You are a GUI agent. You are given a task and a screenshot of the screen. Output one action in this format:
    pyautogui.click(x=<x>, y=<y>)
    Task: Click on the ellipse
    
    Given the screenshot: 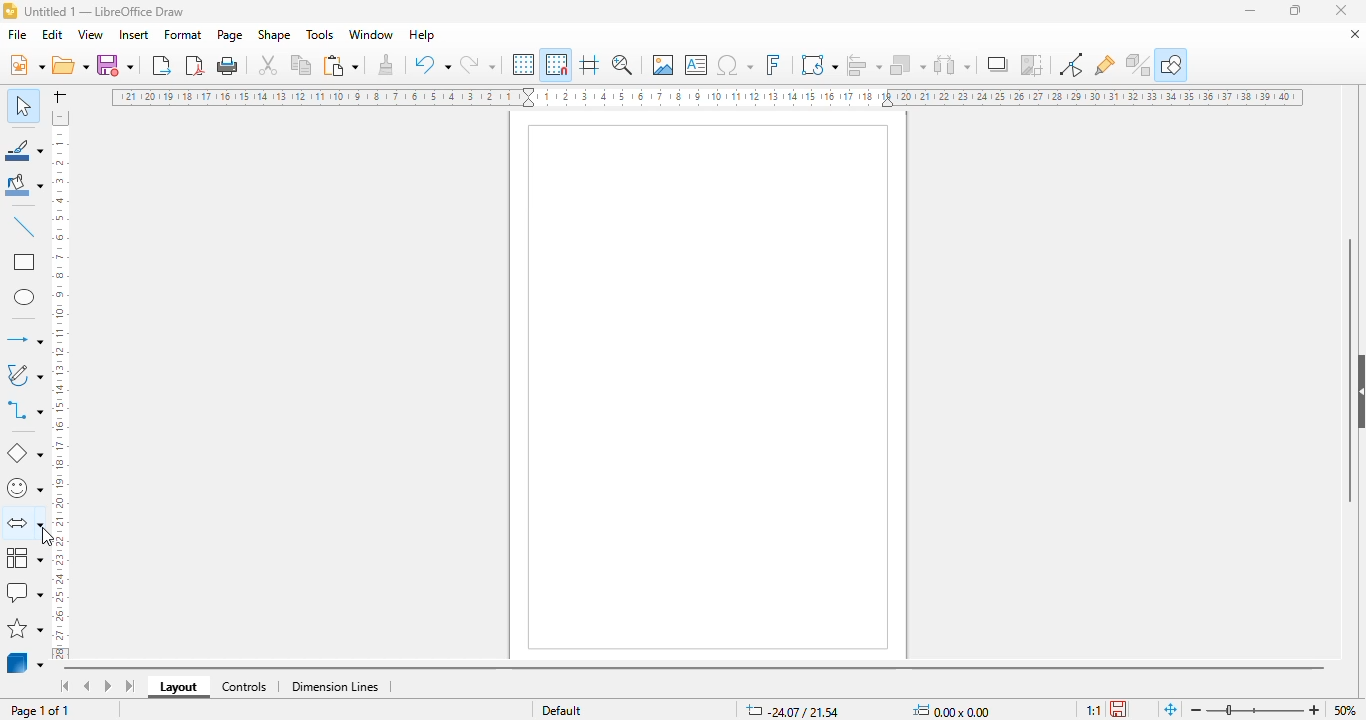 What is the action you would take?
    pyautogui.click(x=26, y=298)
    